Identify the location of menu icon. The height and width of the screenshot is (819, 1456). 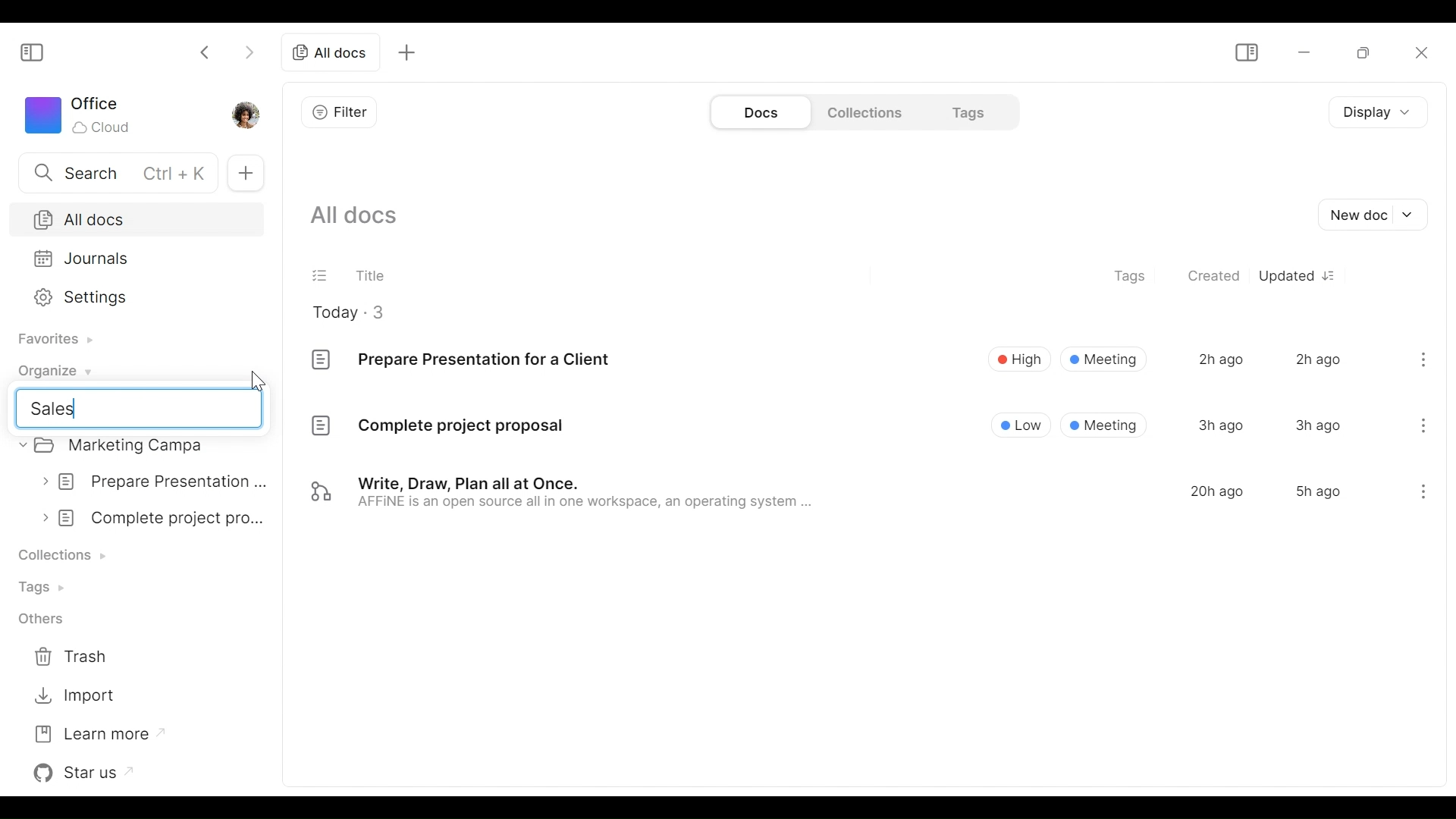
(1421, 494).